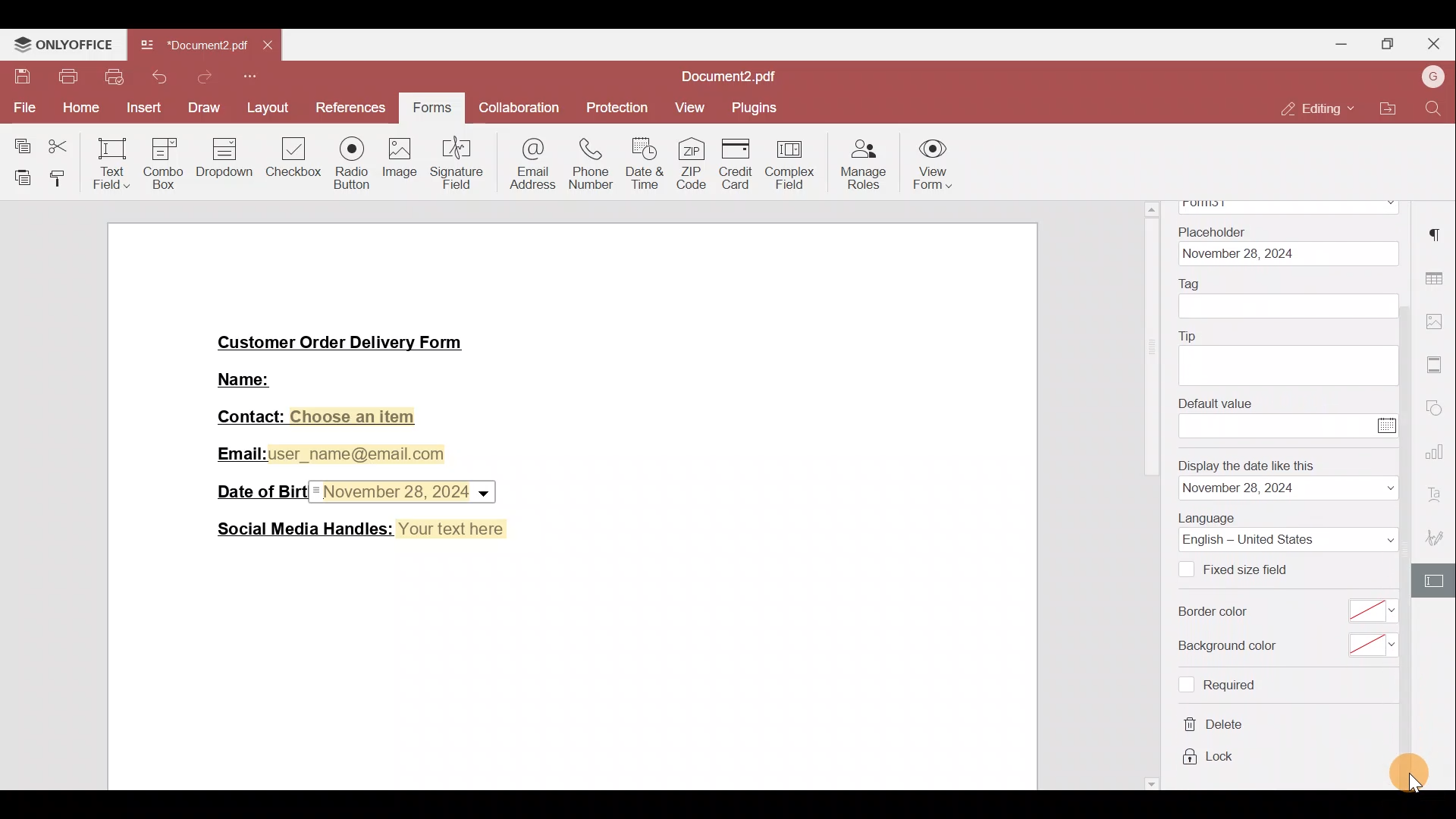 The width and height of the screenshot is (1456, 819). What do you see at coordinates (318, 418) in the screenshot?
I see `Contact: Choose an item` at bounding box center [318, 418].